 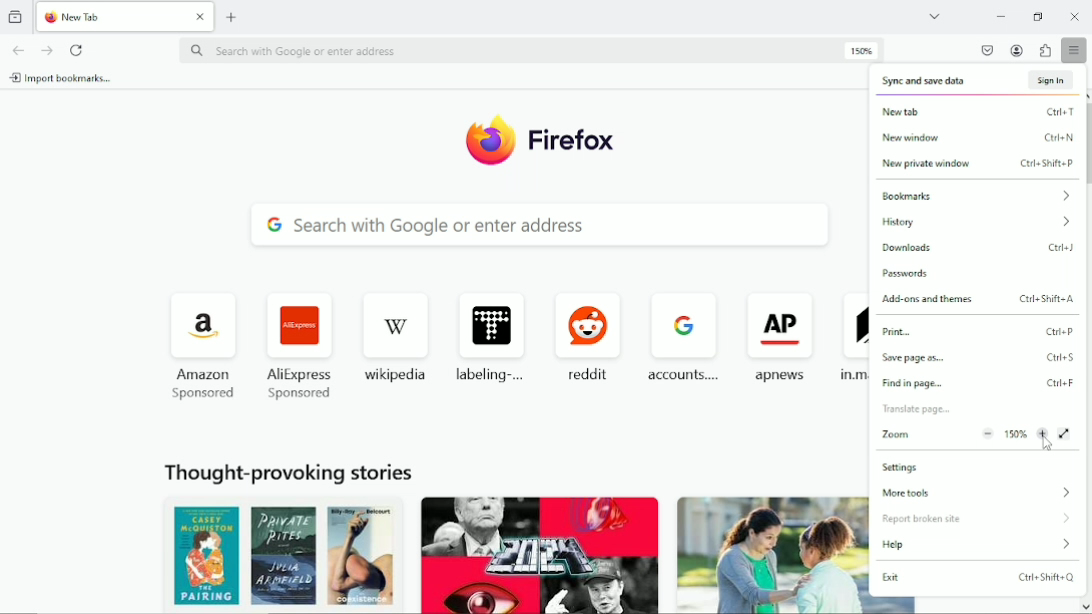 What do you see at coordinates (578, 140) in the screenshot?
I see `. Firefox` at bounding box center [578, 140].